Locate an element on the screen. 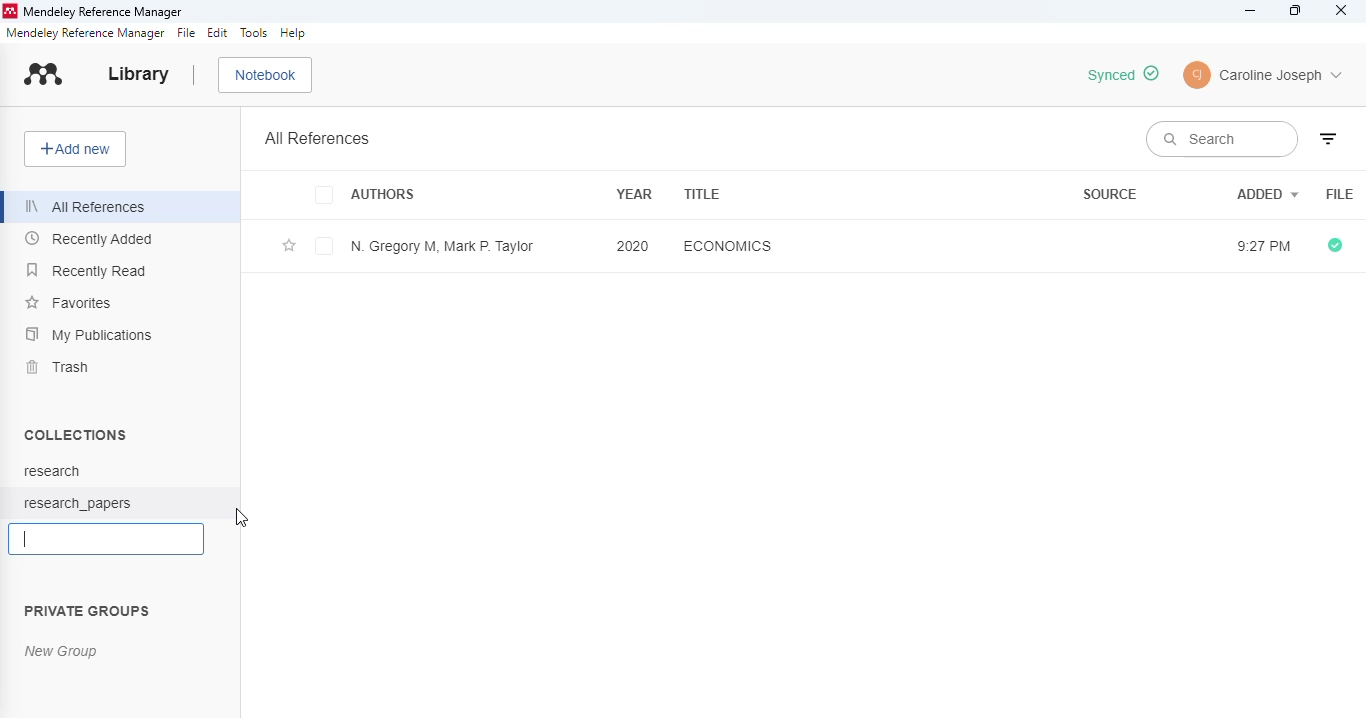 Image resolution: width=1366 pixels, height=718 pixels. select is located at coordinates (325, 248).